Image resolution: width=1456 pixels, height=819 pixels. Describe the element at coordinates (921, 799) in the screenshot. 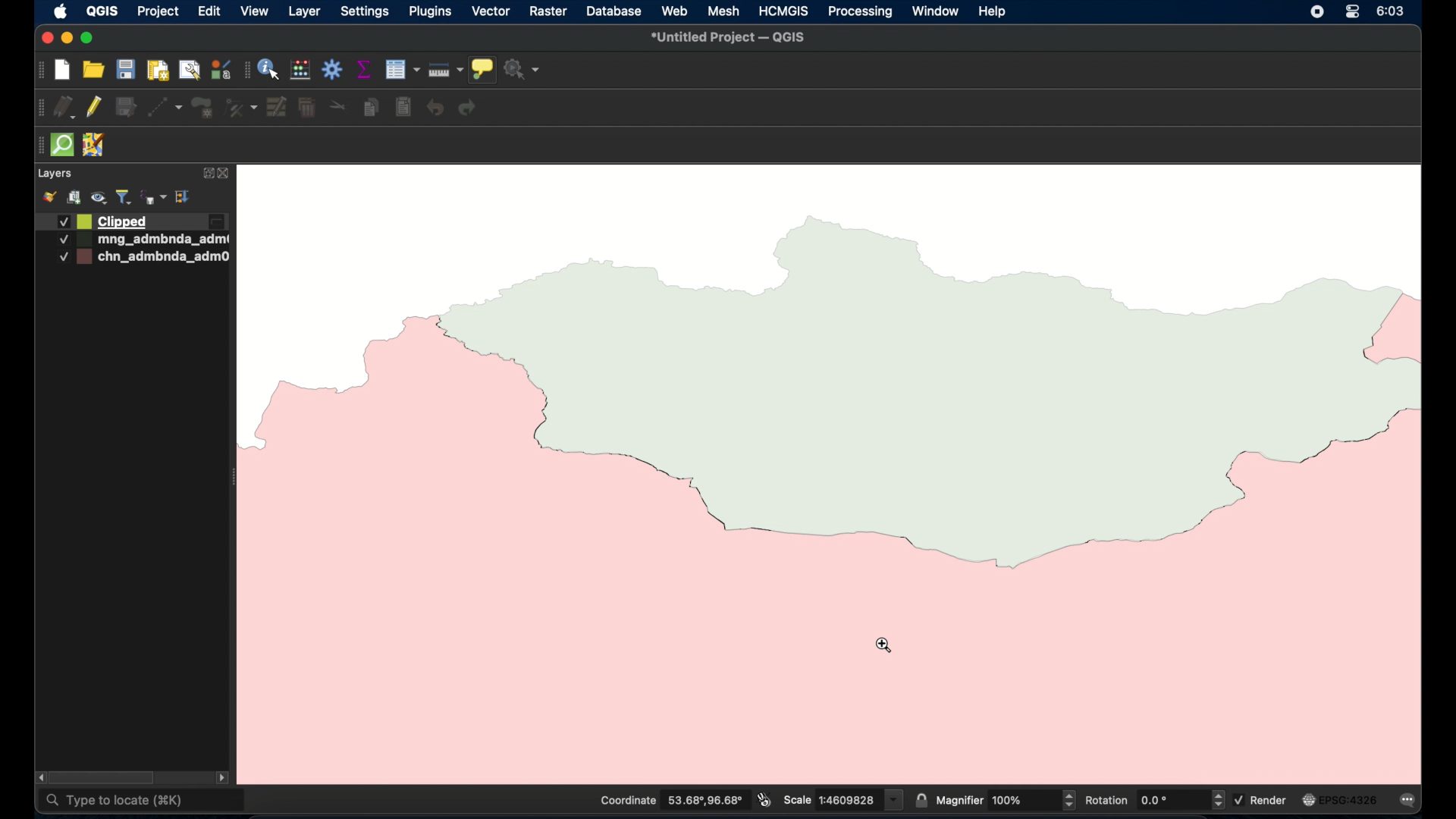

I see `lock scale` at that location.